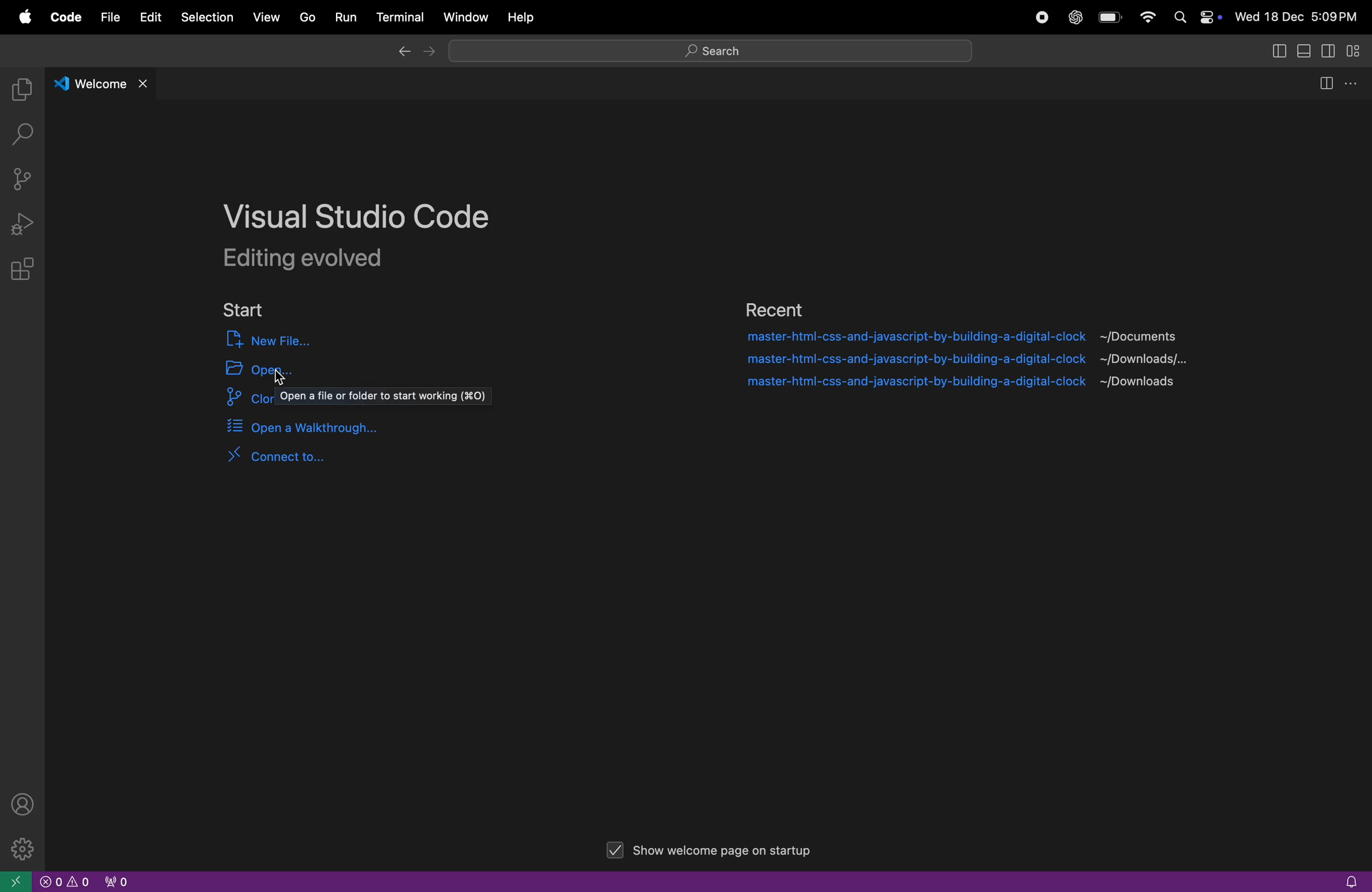 The height and width of the screenshot is (892, 1372). I want to click on help, so click(522, 18).